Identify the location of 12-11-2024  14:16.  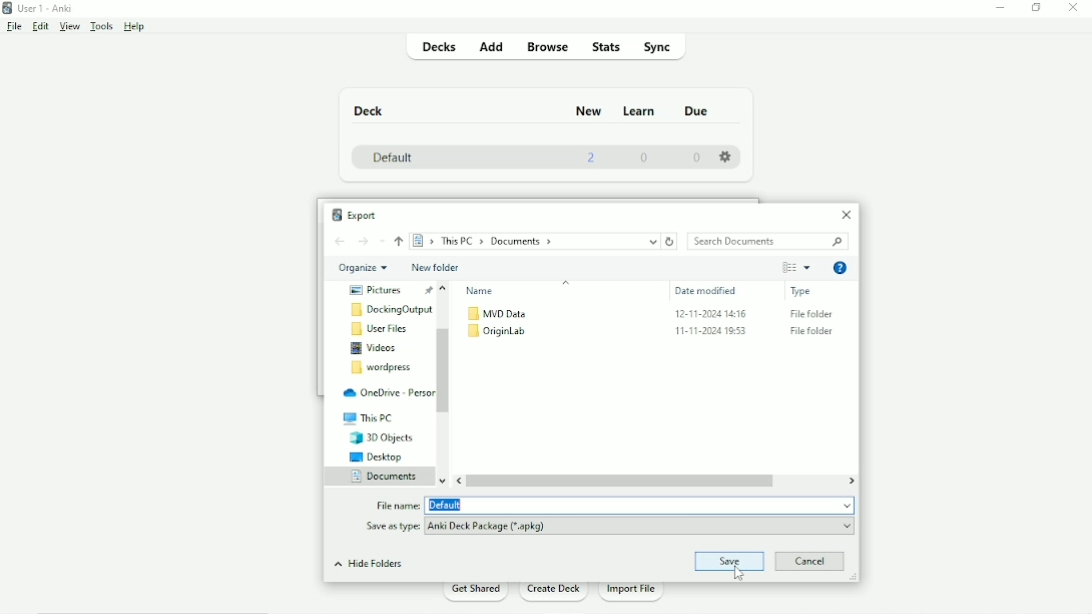
(712, 314).